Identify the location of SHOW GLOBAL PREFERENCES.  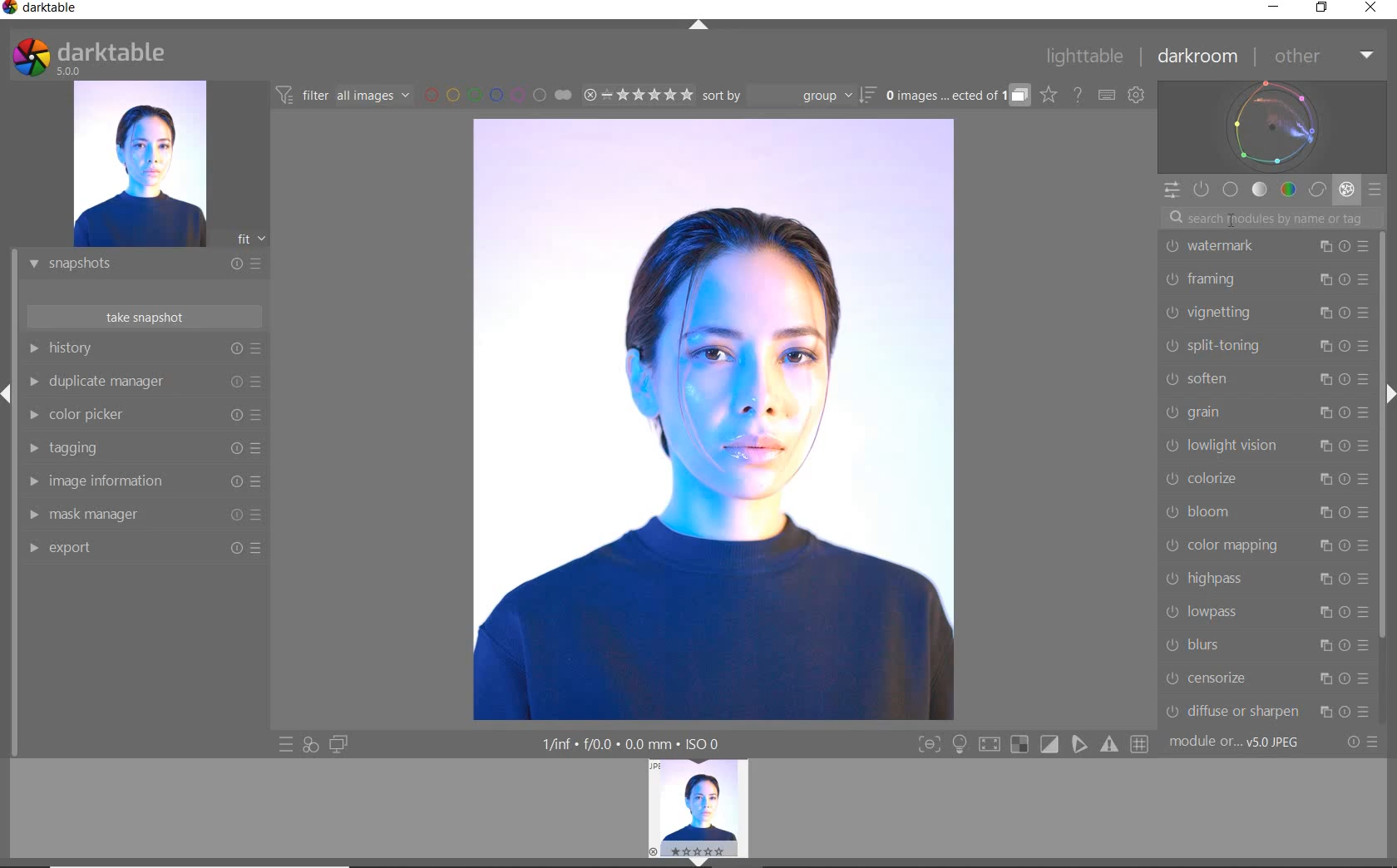
(1136, 96).